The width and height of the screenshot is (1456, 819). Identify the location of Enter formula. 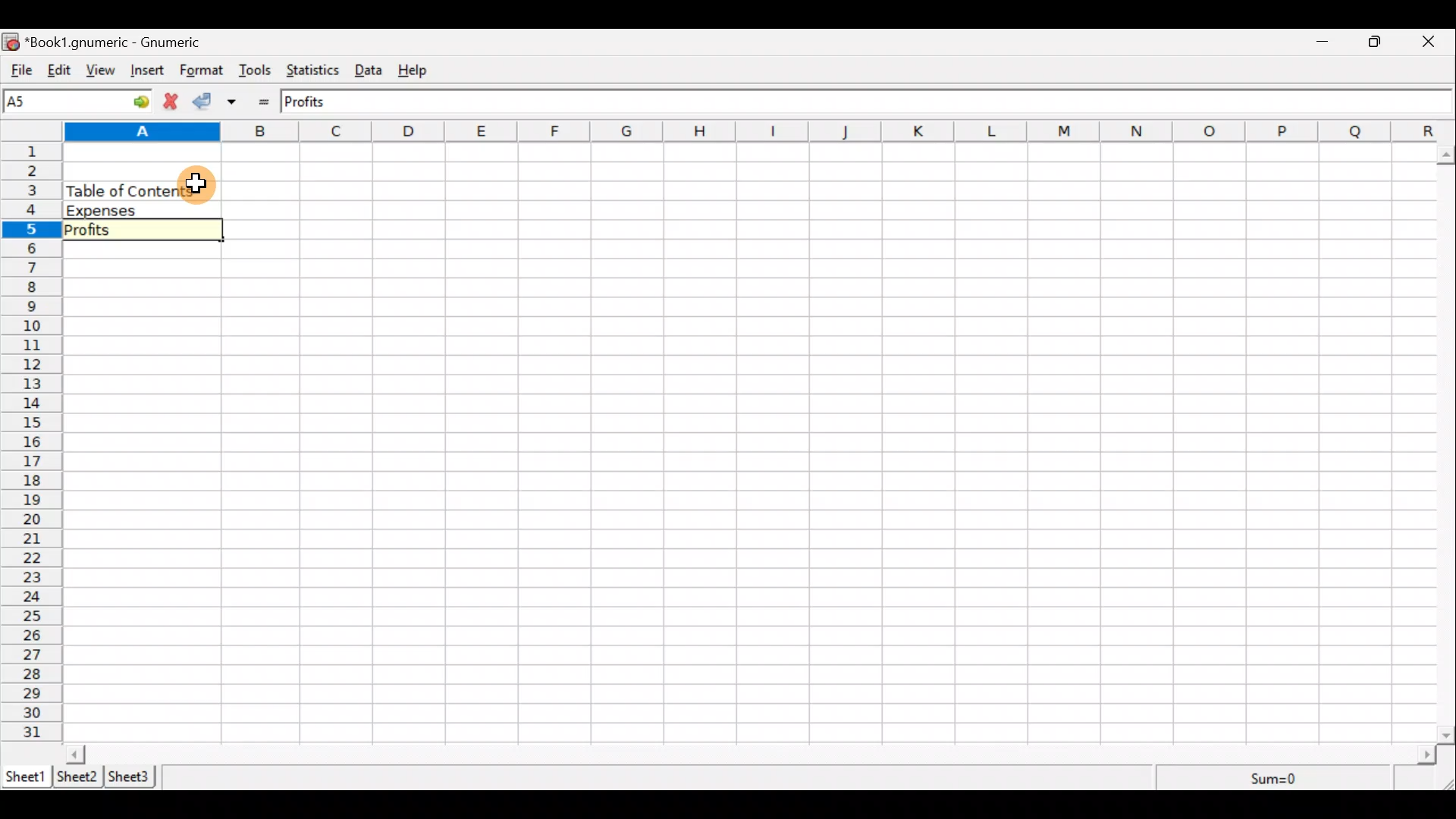
(267, 102).